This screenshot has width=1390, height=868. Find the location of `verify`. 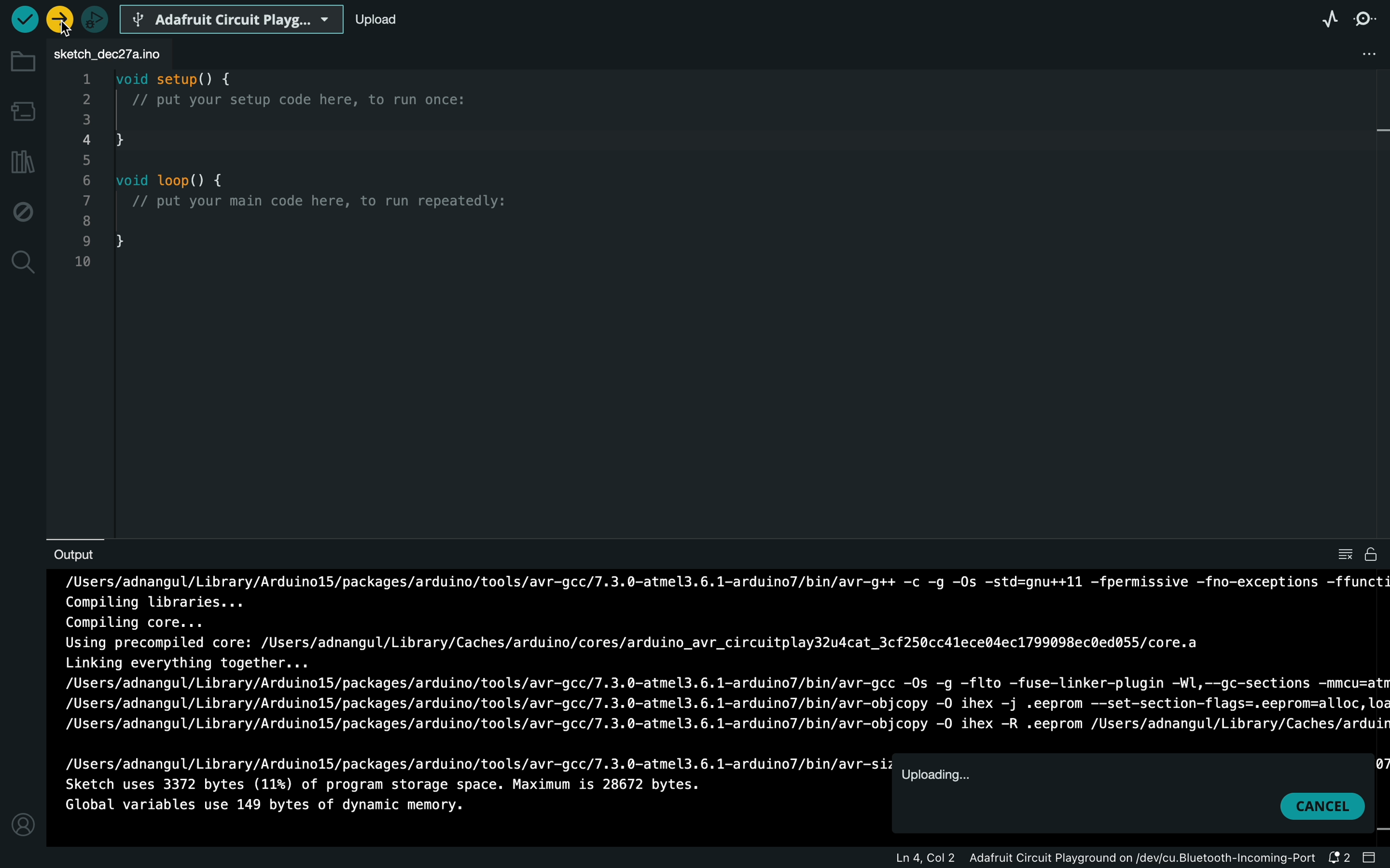

verify is located at coordinates (20, 20).